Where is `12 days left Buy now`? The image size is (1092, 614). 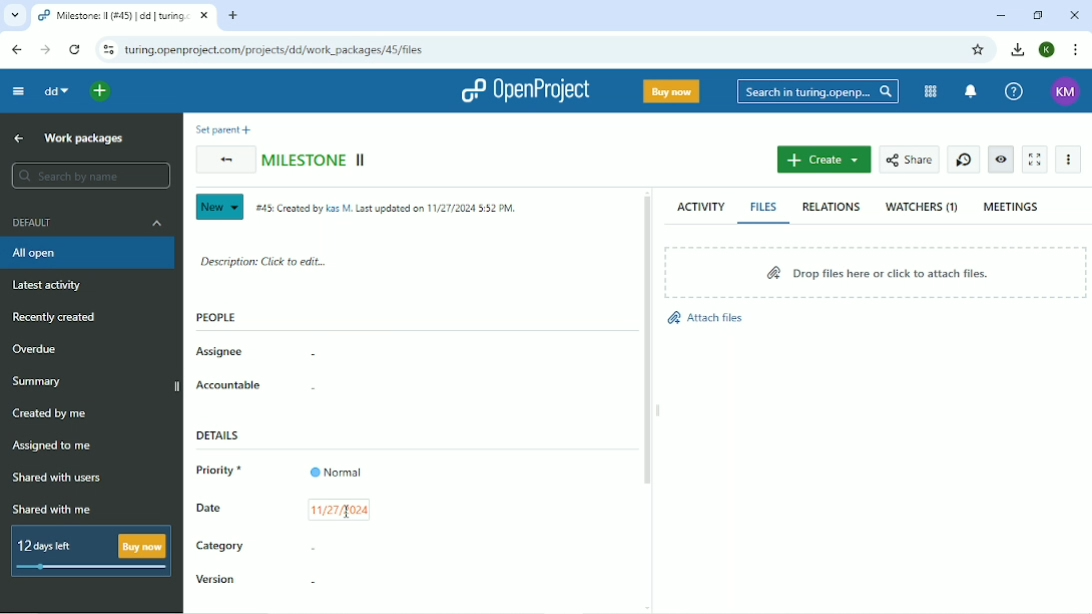
12 days left Buy now is located at coordinates (94, 548).